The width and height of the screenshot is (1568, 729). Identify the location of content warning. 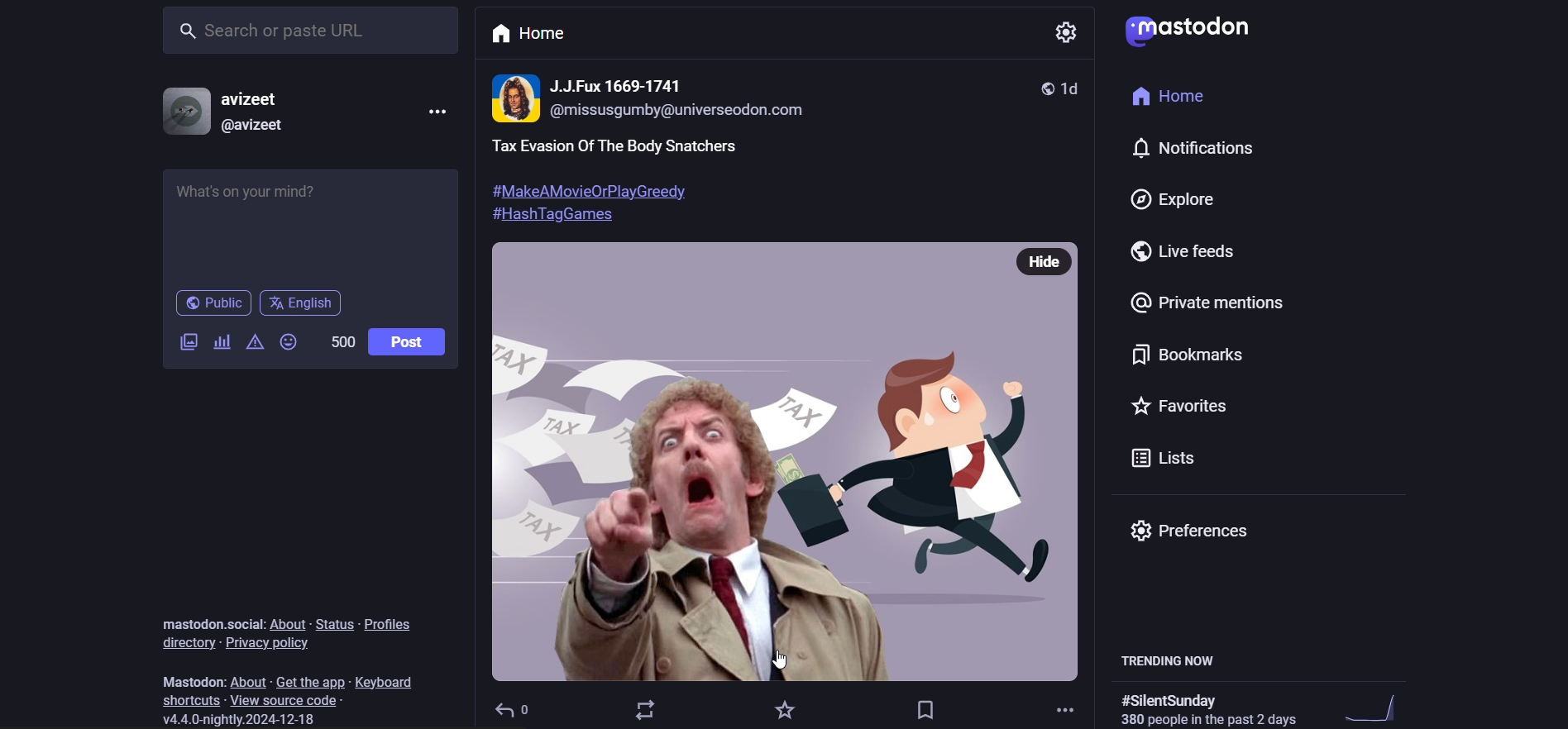
(254, 343).